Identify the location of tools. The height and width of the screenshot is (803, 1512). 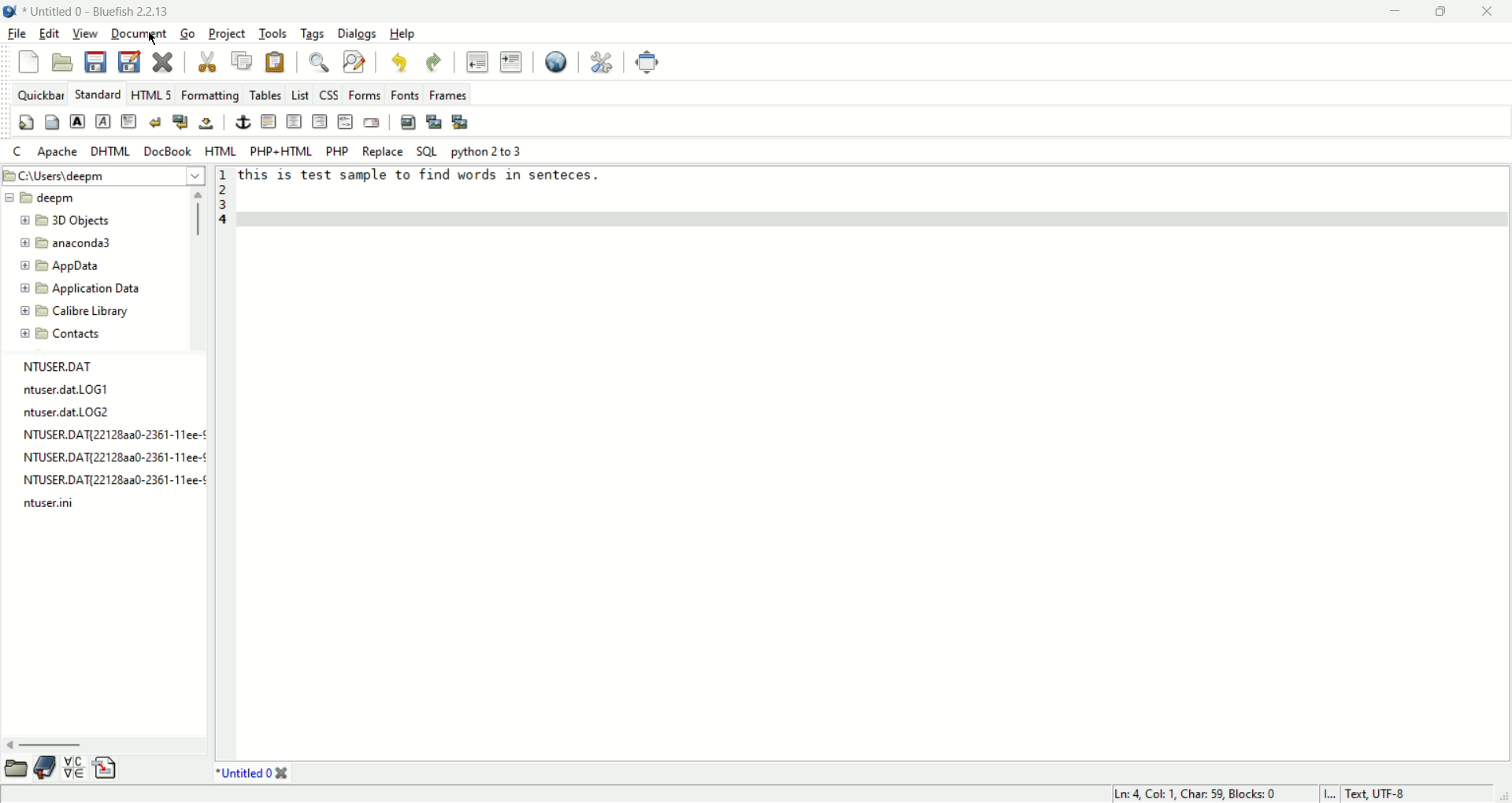
(272, 33).